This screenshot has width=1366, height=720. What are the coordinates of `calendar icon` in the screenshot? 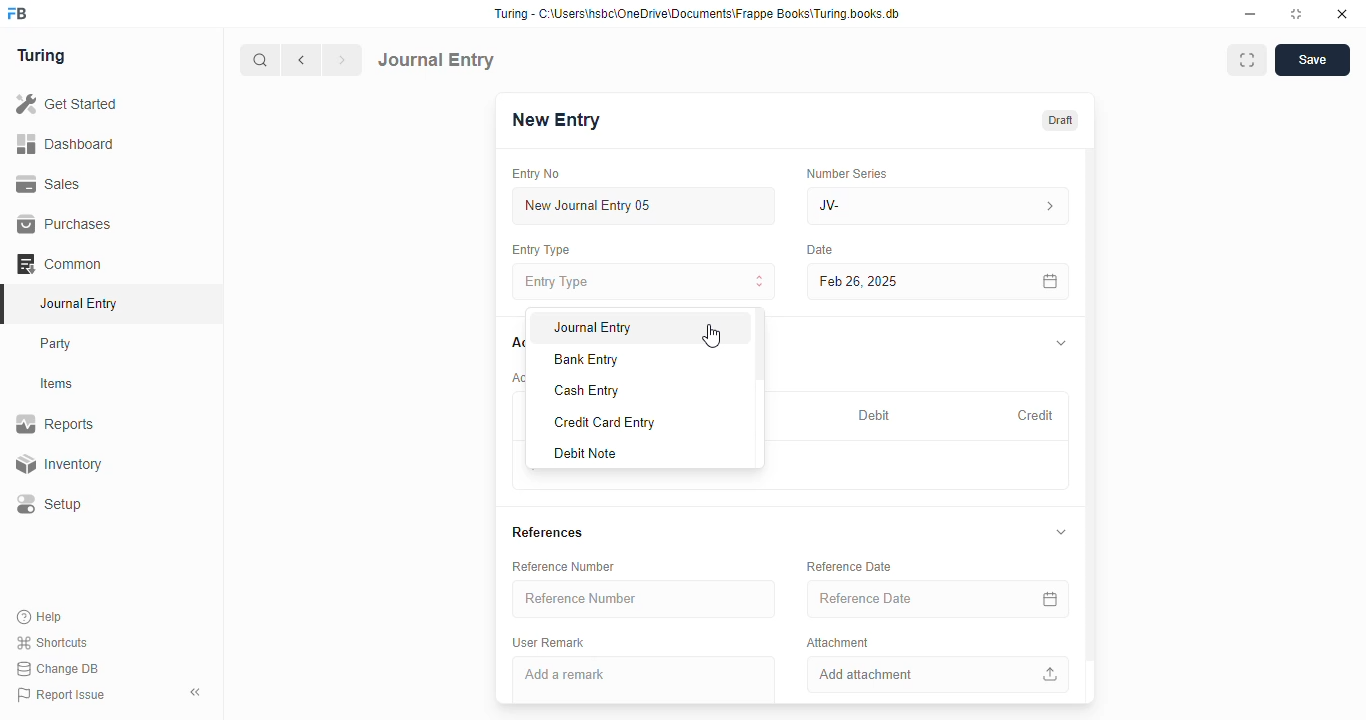 It's located at (1049, 281).